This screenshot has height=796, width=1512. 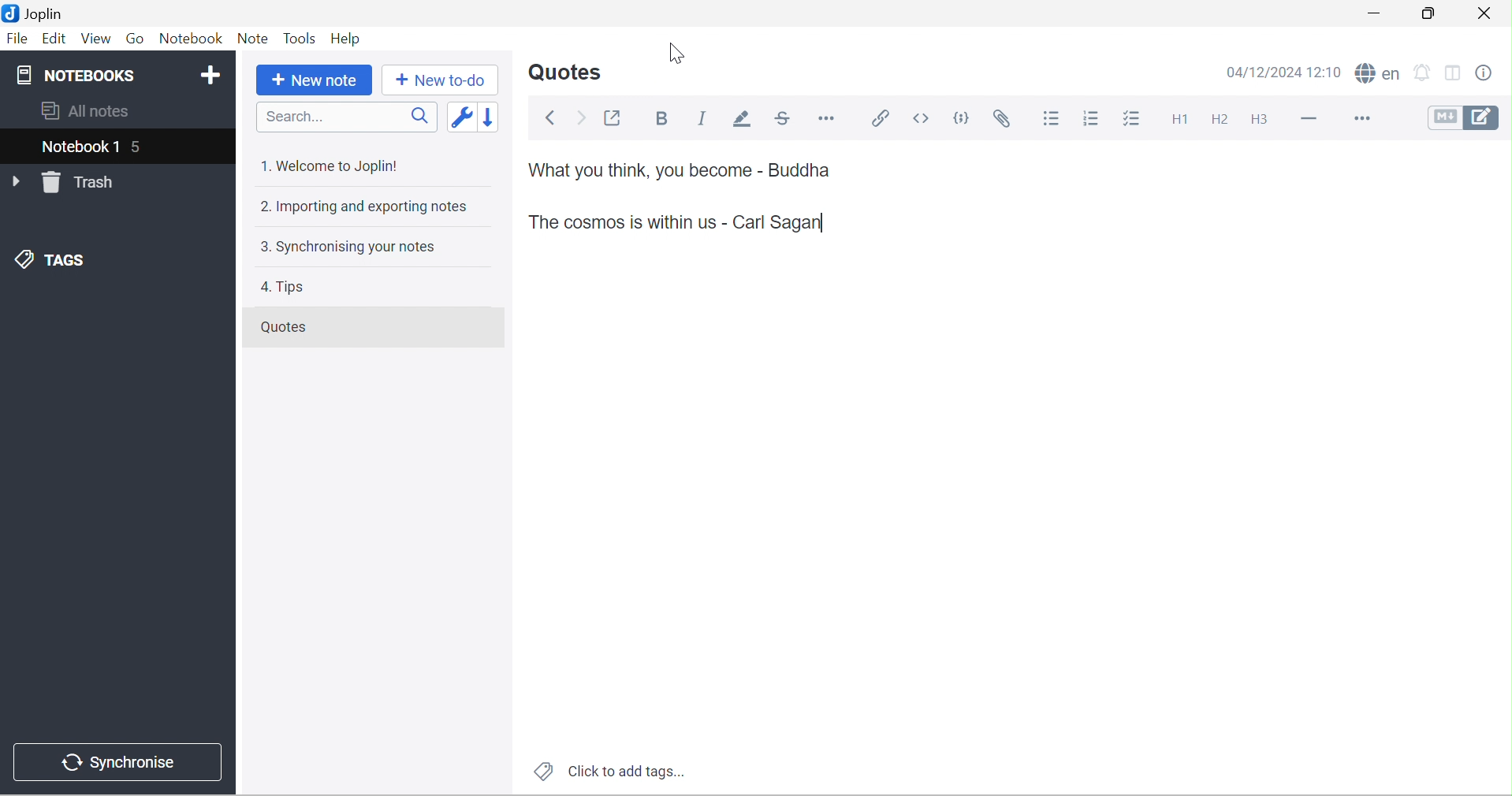 I want to click on Heading 2, so click(x=1223, y=119).